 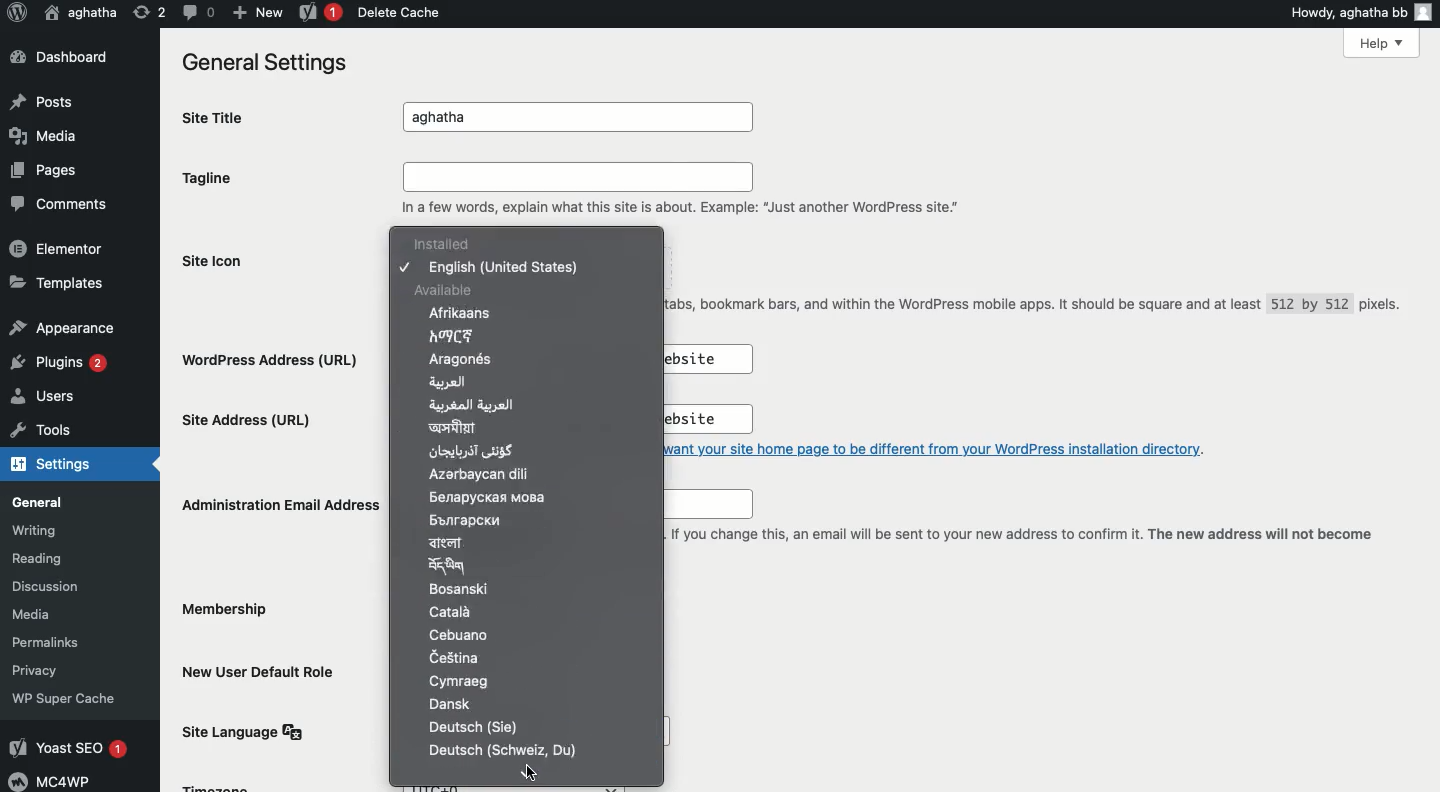 I want to click on Templates, so click(x=53, y=282).